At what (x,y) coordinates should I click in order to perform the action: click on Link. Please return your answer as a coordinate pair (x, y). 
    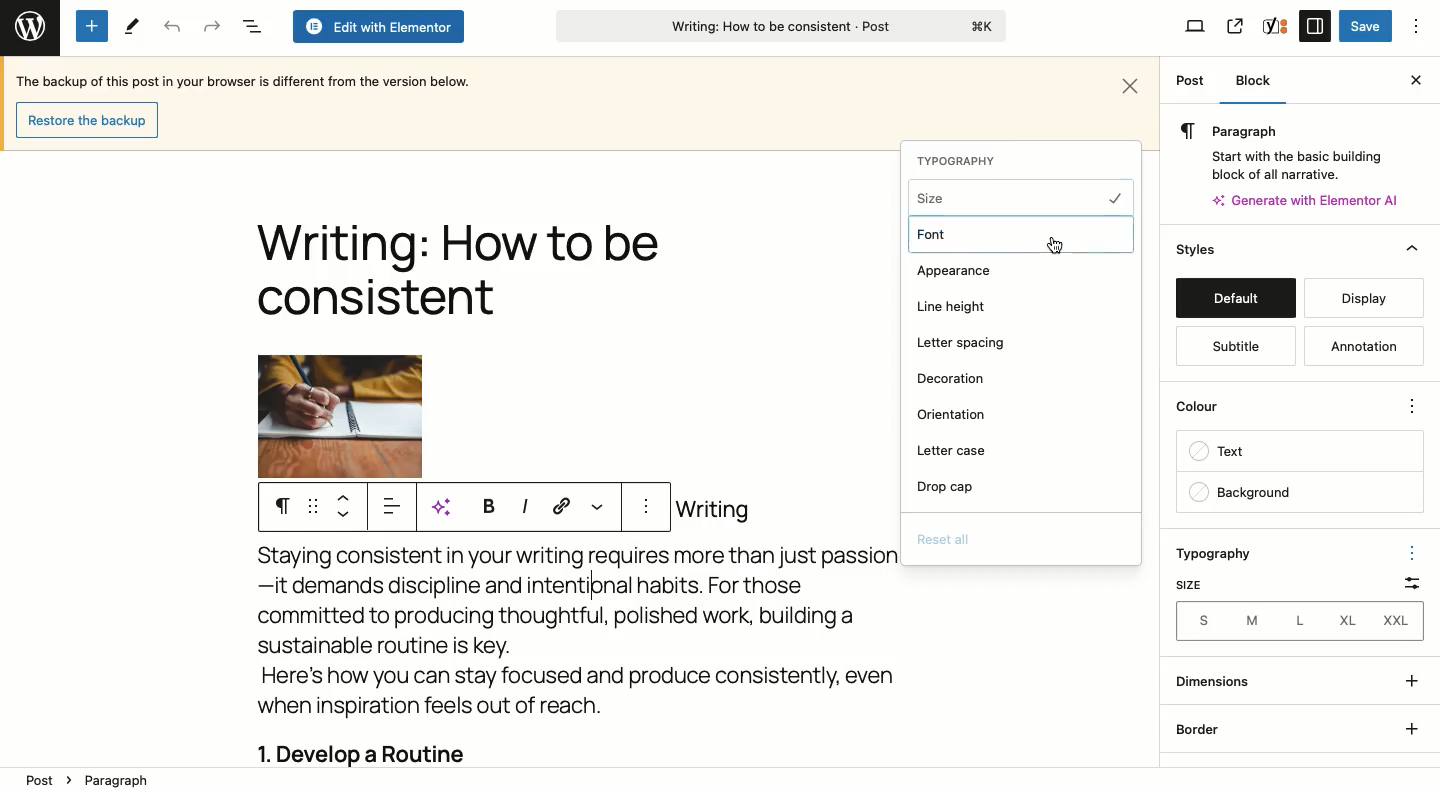
    Looking at the image, I should click on (562, 505).